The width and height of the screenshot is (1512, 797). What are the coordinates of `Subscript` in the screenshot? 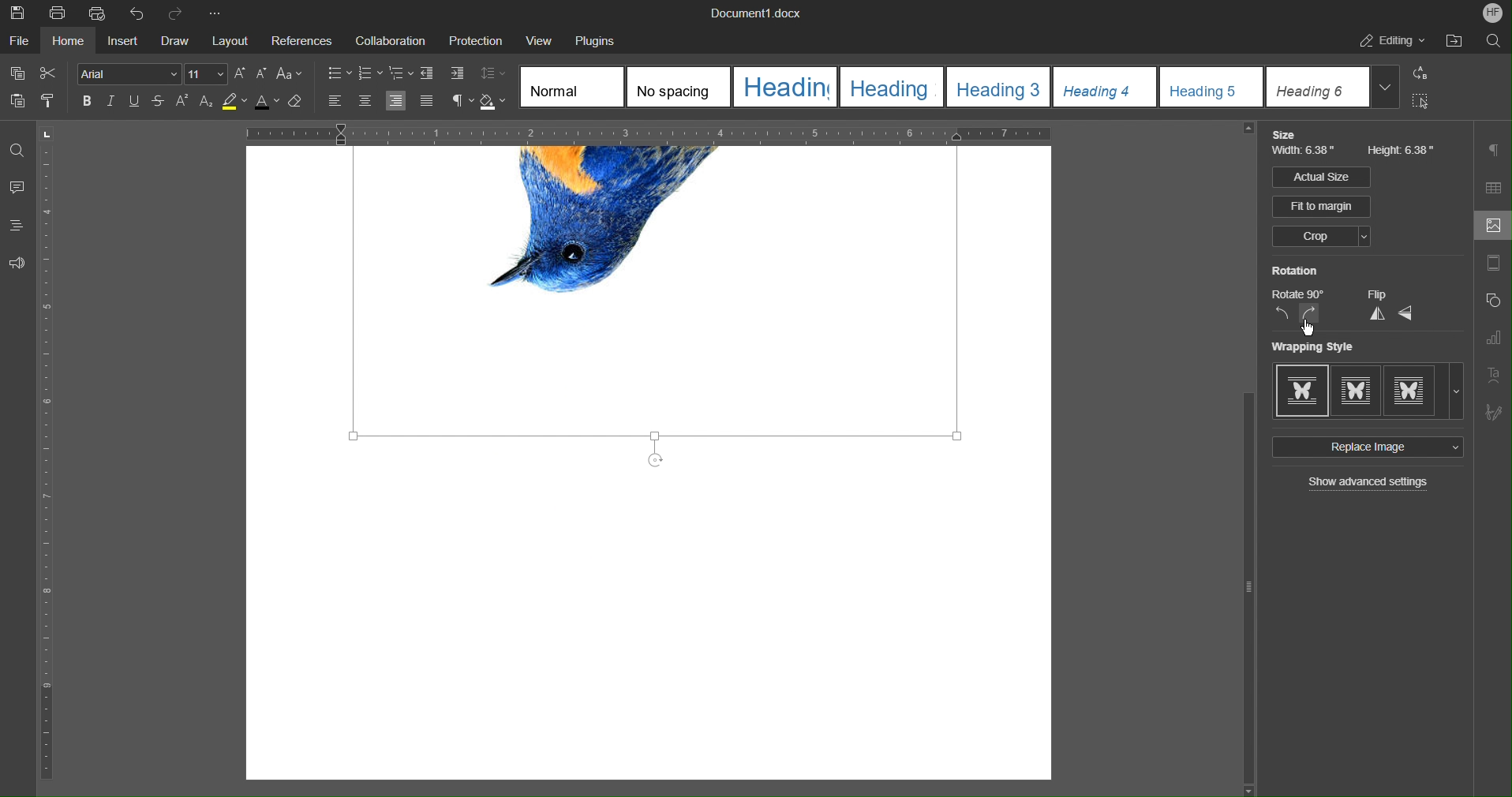 It's located at (205, 103).